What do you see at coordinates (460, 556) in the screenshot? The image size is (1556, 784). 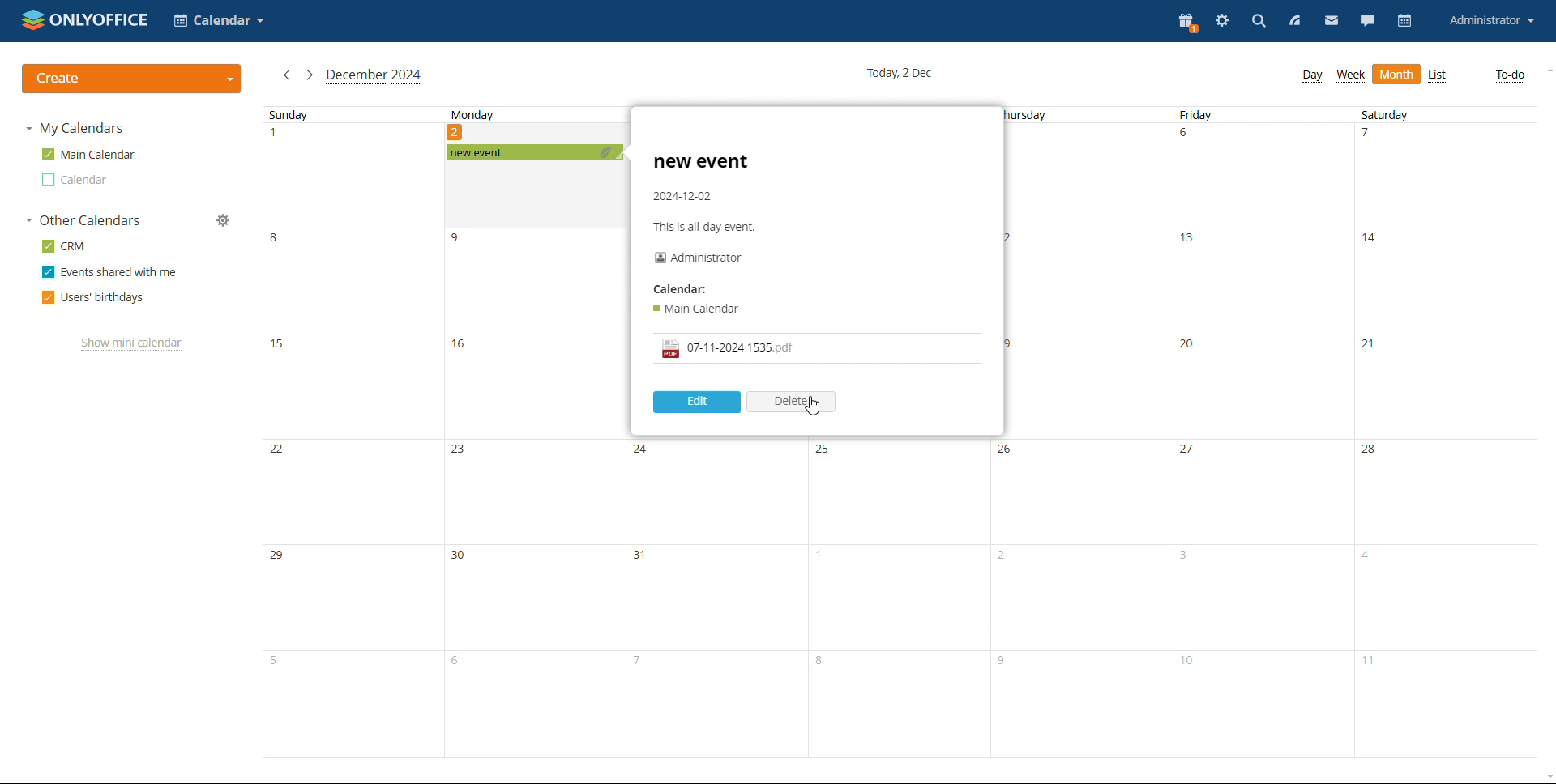 I see `30` at bounding box center [460, 556].